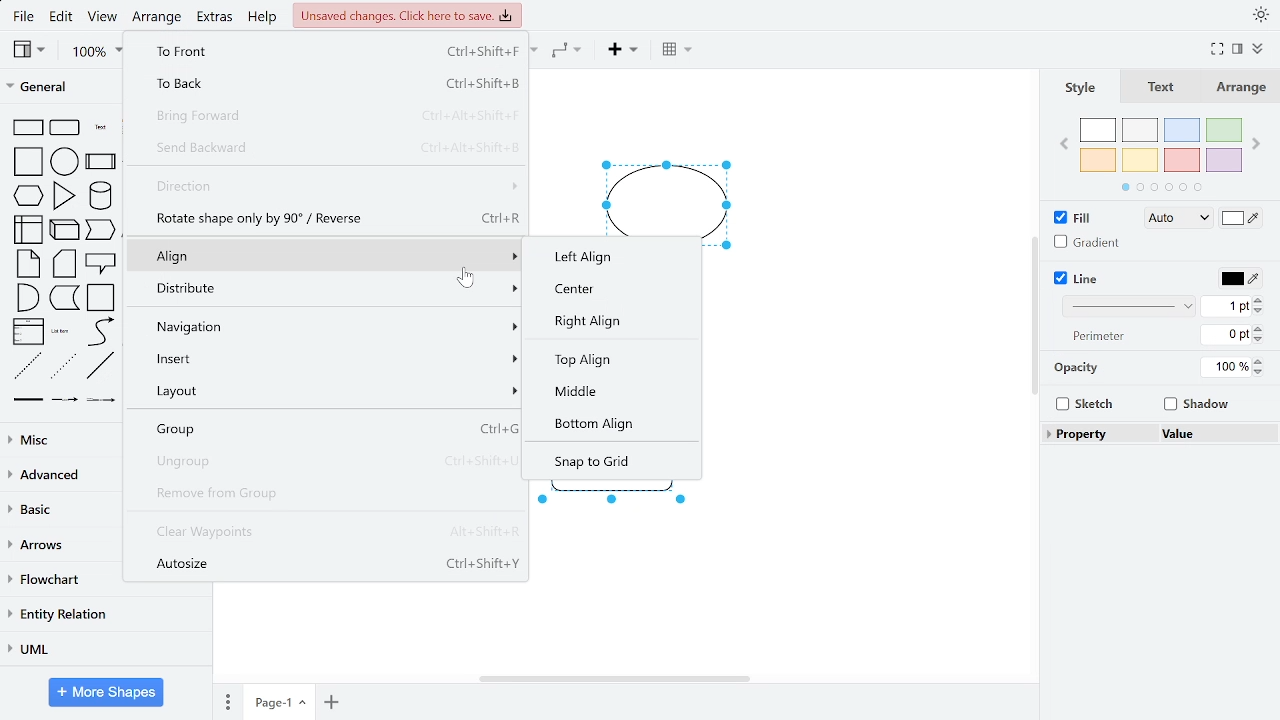 The height and width of the screenshot is (720, 1280). Describe the element at coordinates (102, 298) in the screenshot. I see `container` at that location.